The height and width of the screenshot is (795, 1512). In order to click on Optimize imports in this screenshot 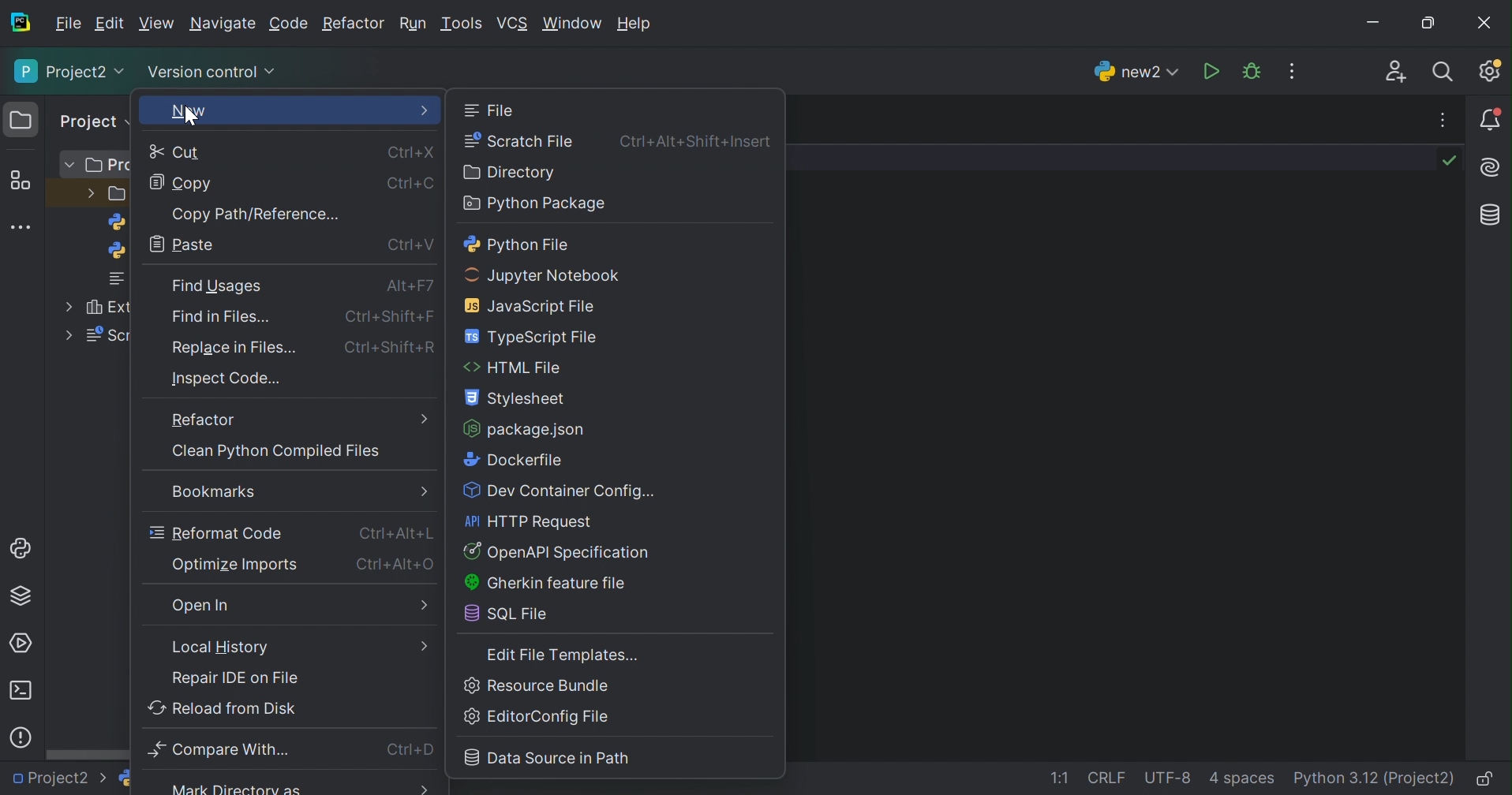, I will do `click(235, 565)`.